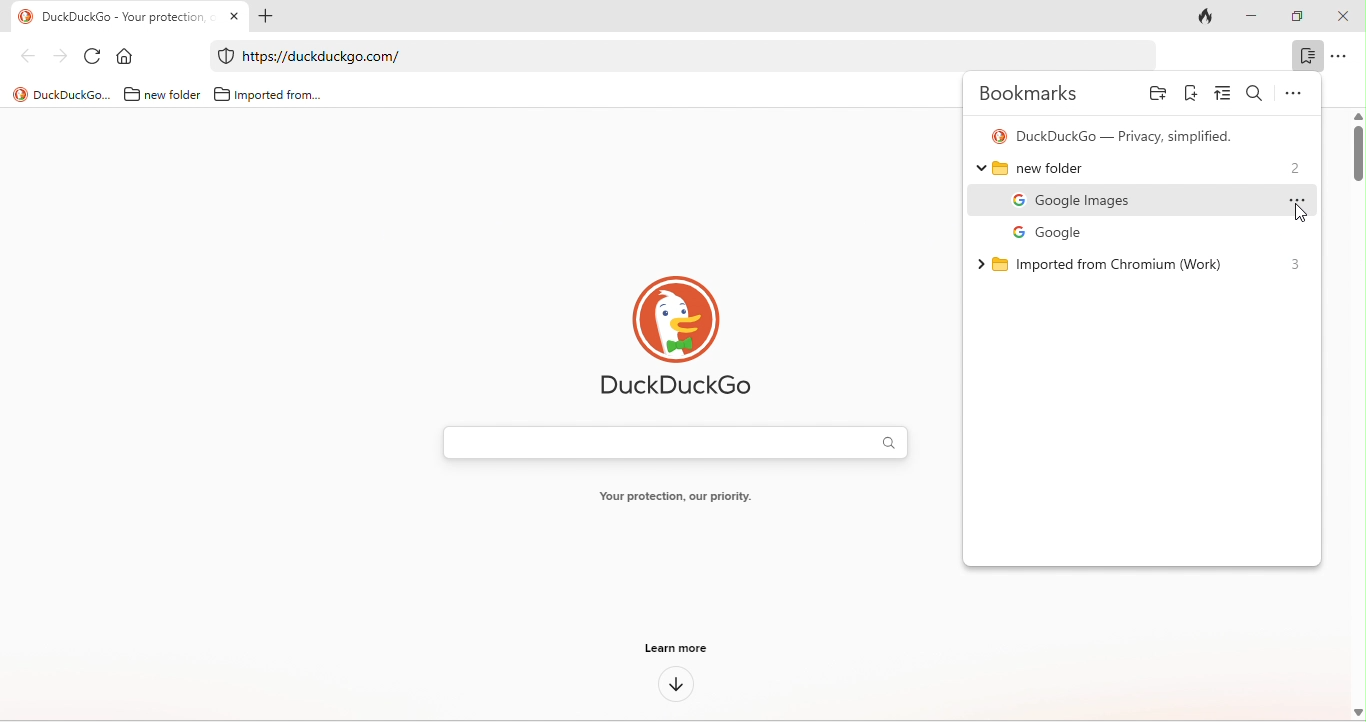  What do you see at coordinates (159, 94) in the screenshot?
I see `new folder` at bounding box center [159, 94].